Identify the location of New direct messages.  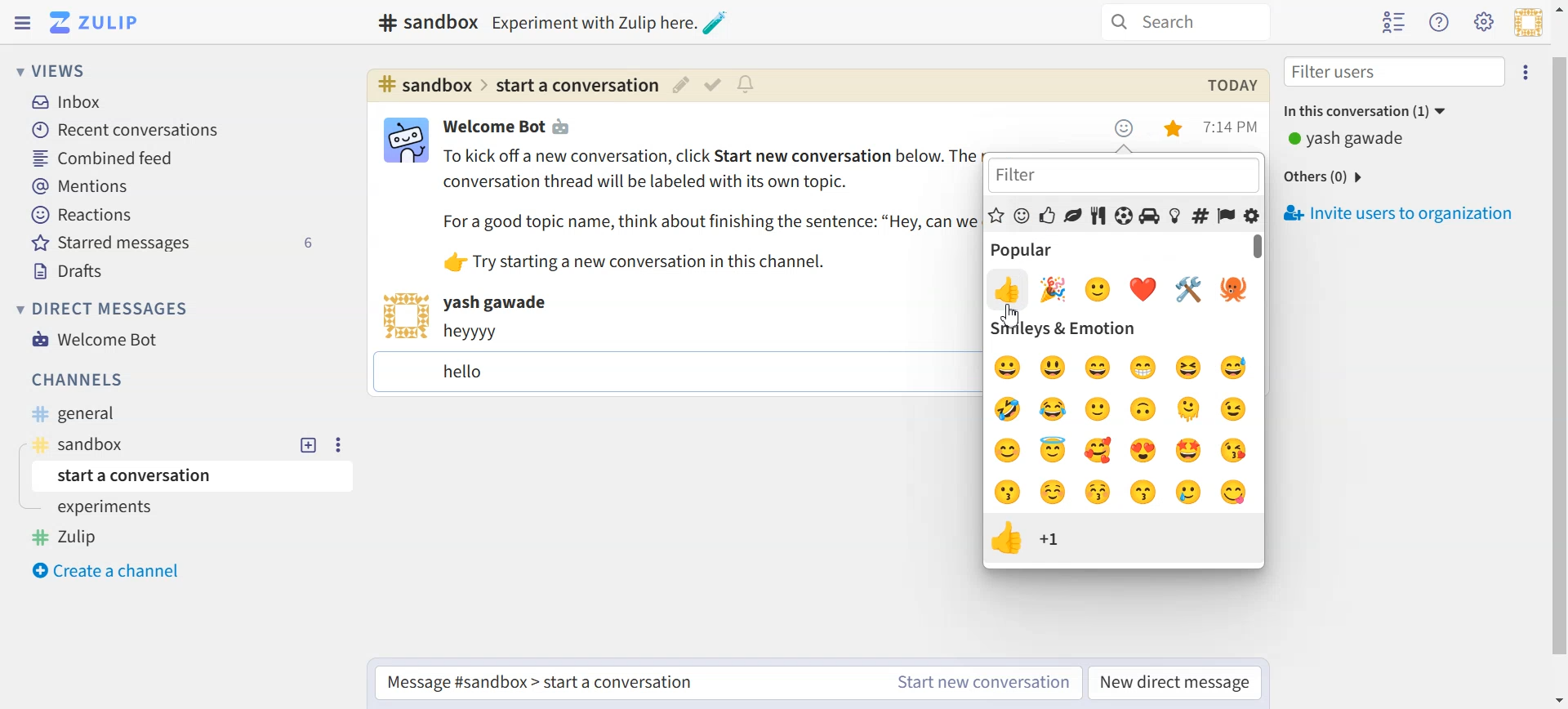
(1177, 683).